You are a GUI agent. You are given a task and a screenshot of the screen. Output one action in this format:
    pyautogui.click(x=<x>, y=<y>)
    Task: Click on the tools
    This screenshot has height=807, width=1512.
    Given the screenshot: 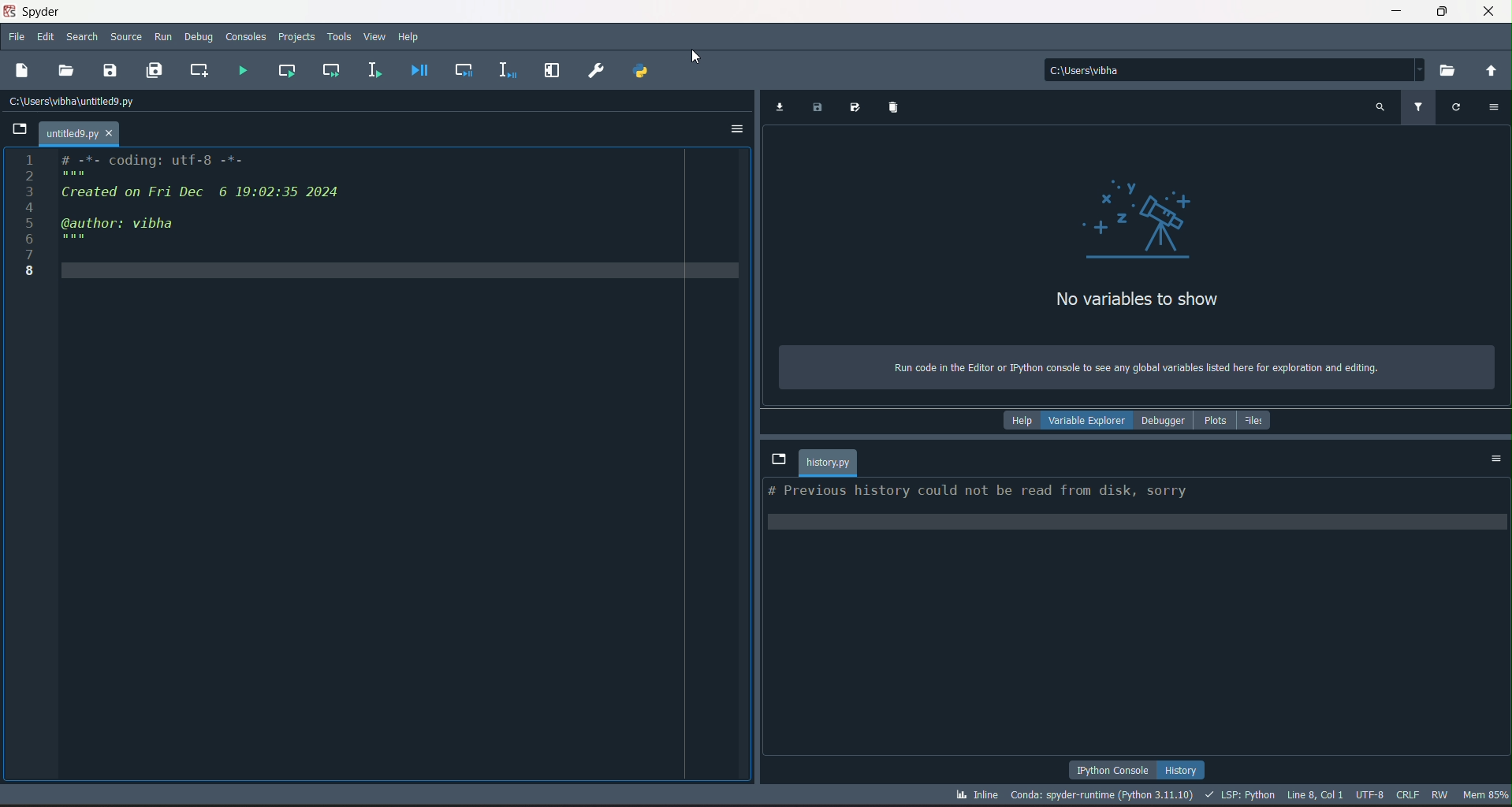 What is the action you would take?
    pyautogui.click(x=340, y=39)
    